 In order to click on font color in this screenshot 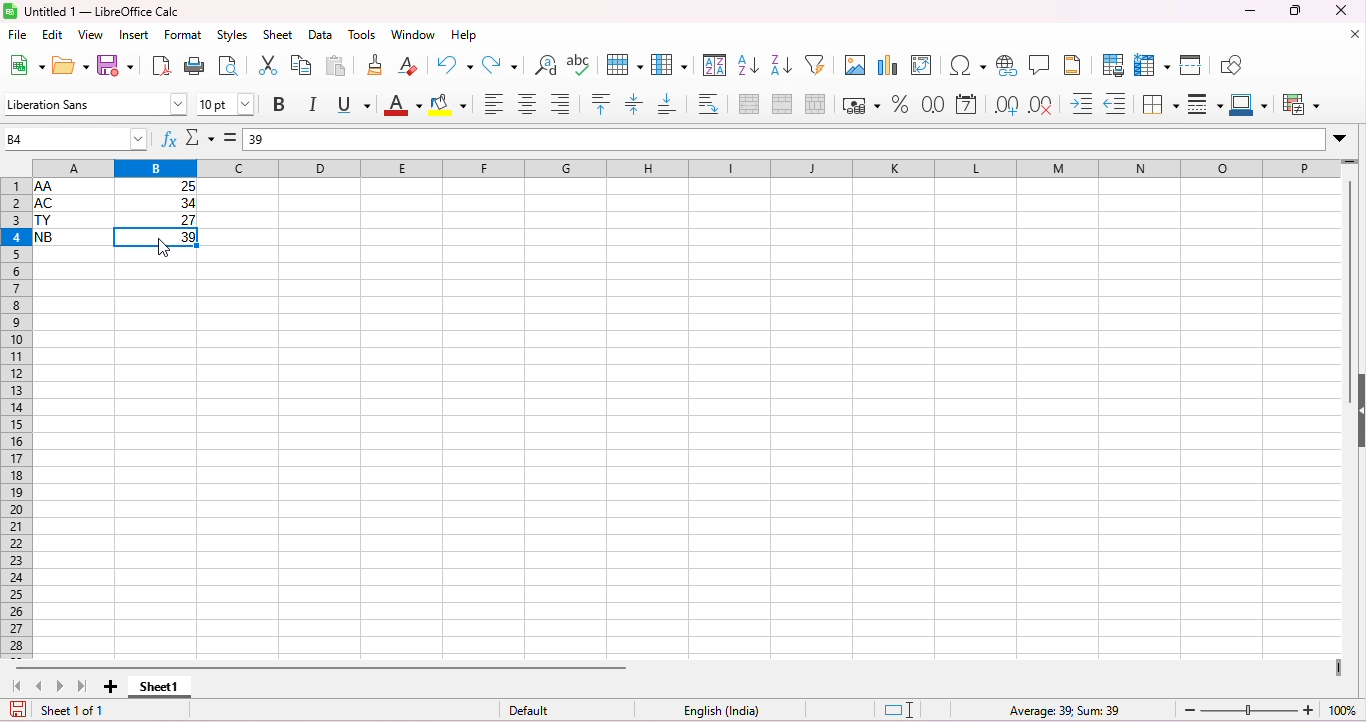, I will do `click(401, 106)`.